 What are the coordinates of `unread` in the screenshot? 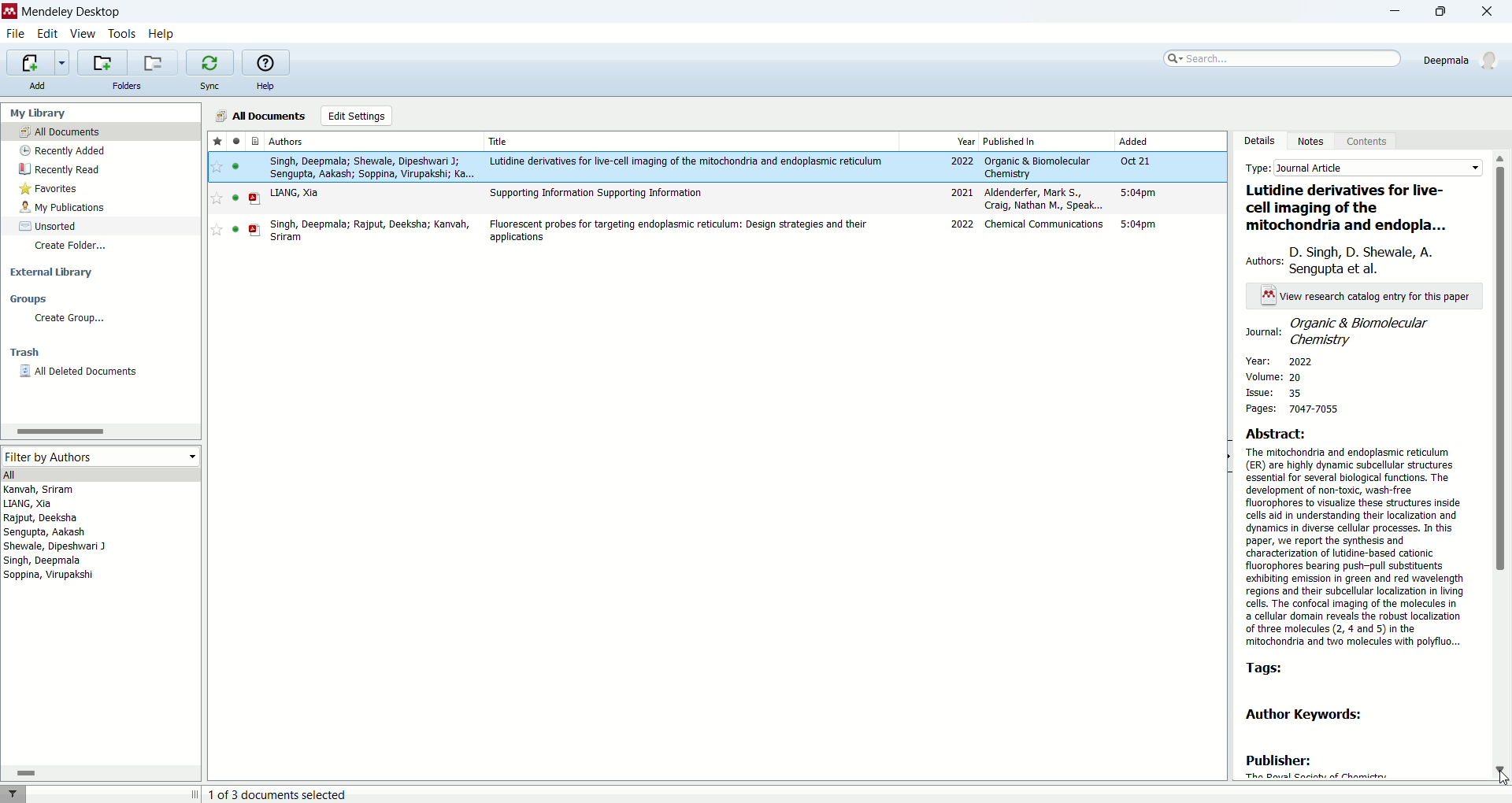 It's located at (235, 229).